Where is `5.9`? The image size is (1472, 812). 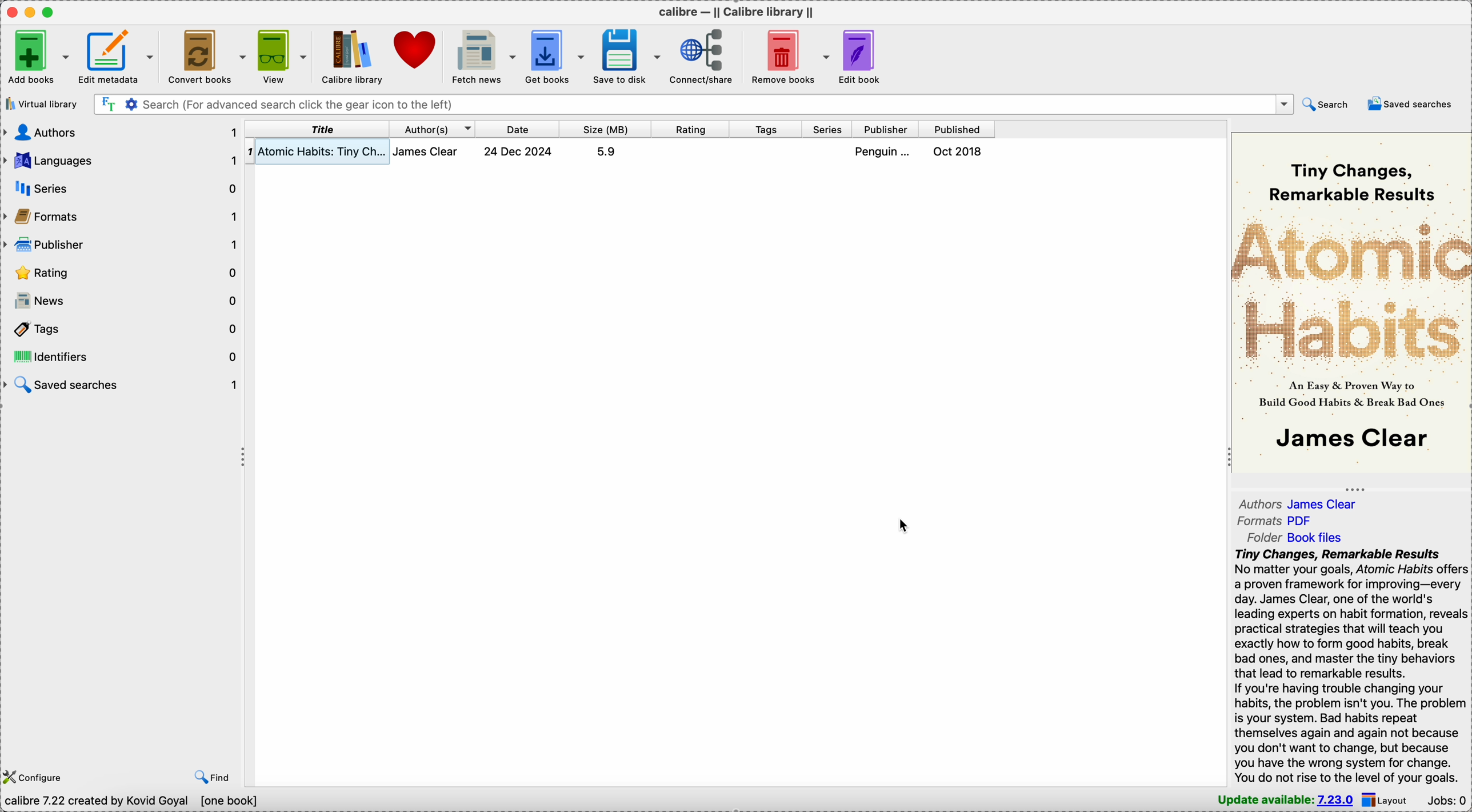
5.9 is located at coordinates (606, 151).